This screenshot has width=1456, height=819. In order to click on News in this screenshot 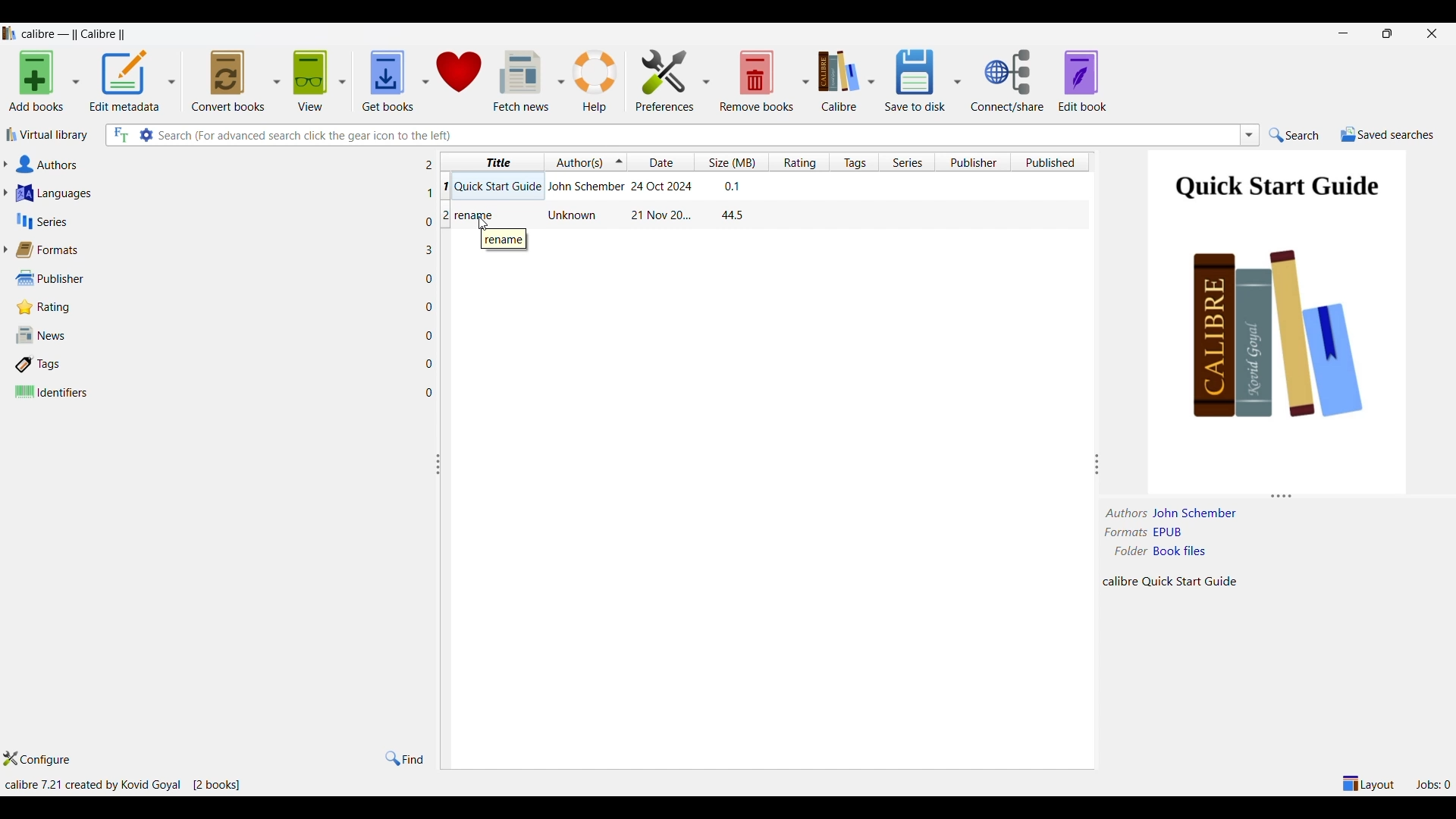, I will do `click(215, 334)`.